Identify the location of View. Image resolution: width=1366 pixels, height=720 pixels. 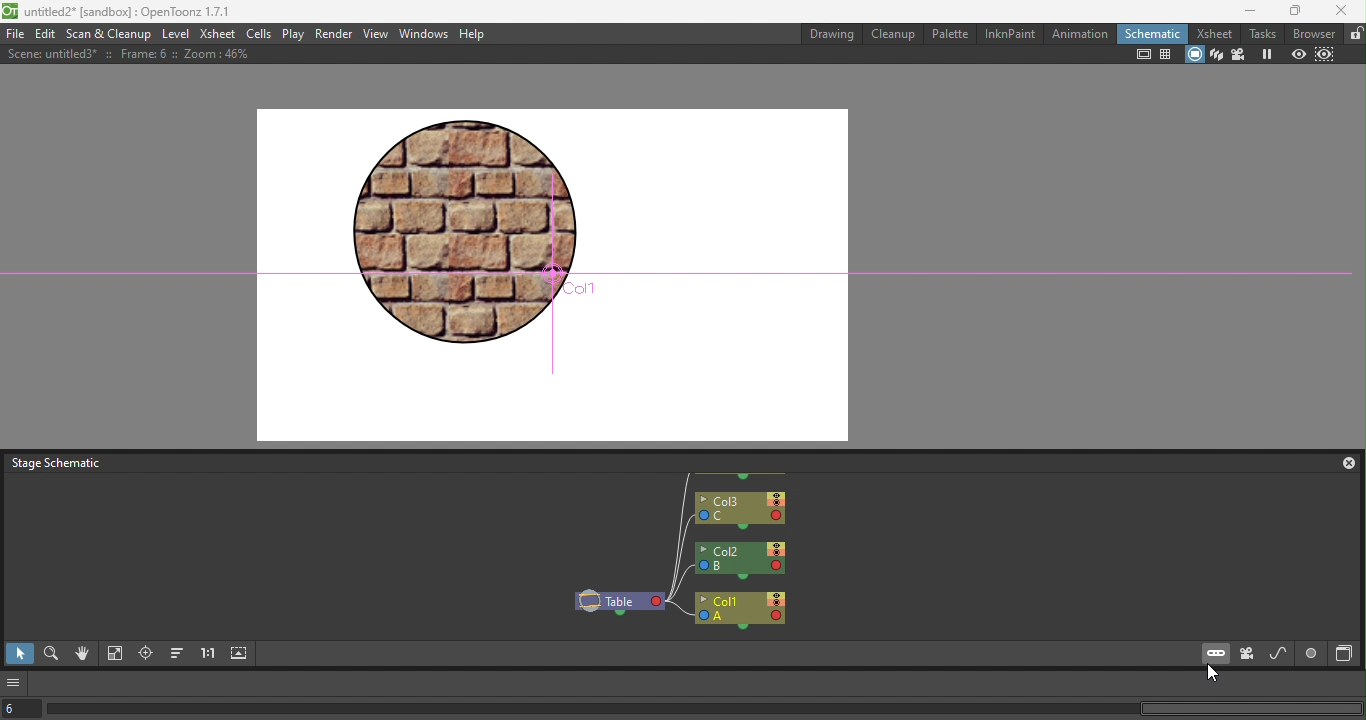
(376, 34).